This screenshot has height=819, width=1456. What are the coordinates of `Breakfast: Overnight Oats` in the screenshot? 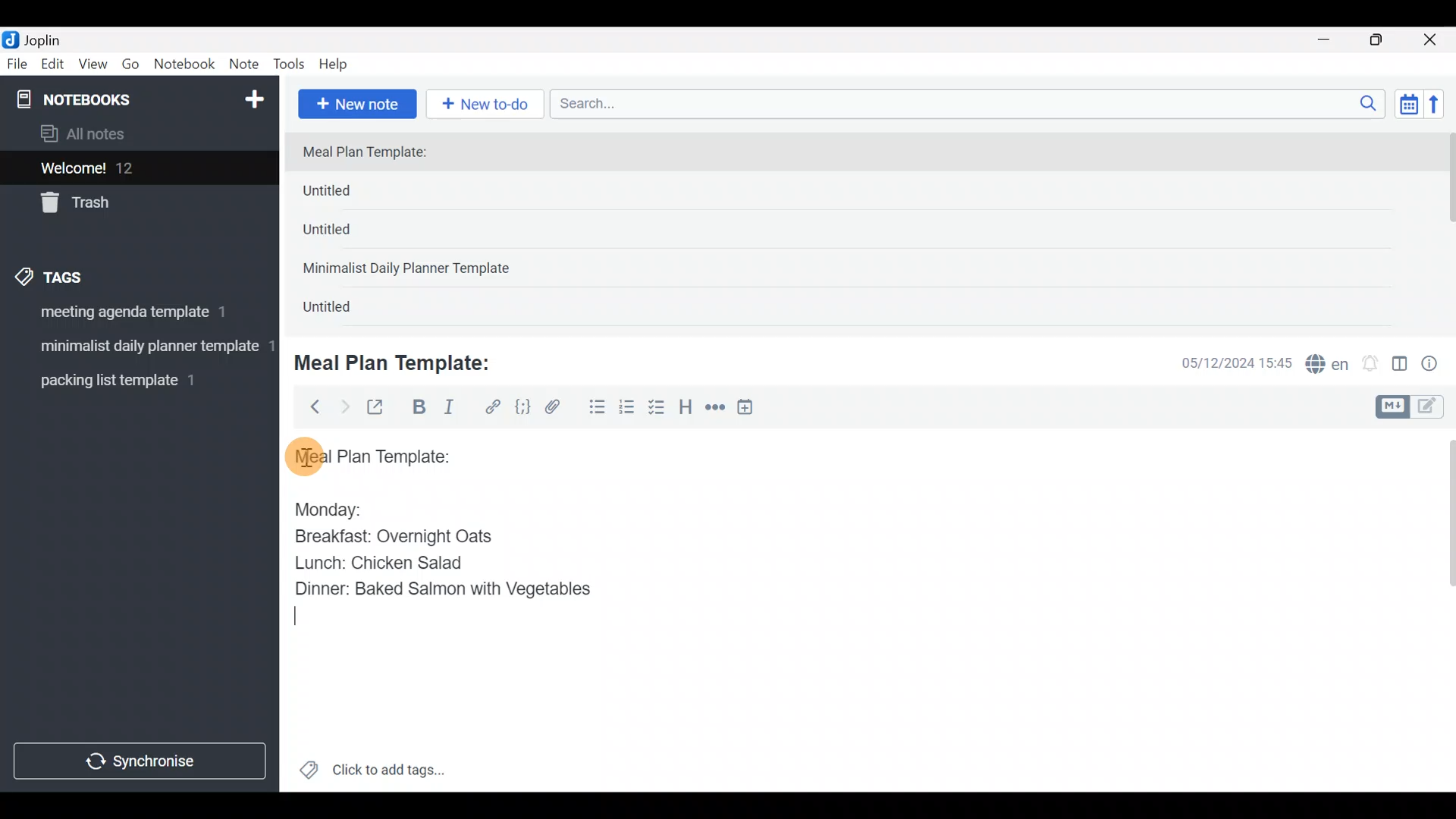 It's located at (391, 538).